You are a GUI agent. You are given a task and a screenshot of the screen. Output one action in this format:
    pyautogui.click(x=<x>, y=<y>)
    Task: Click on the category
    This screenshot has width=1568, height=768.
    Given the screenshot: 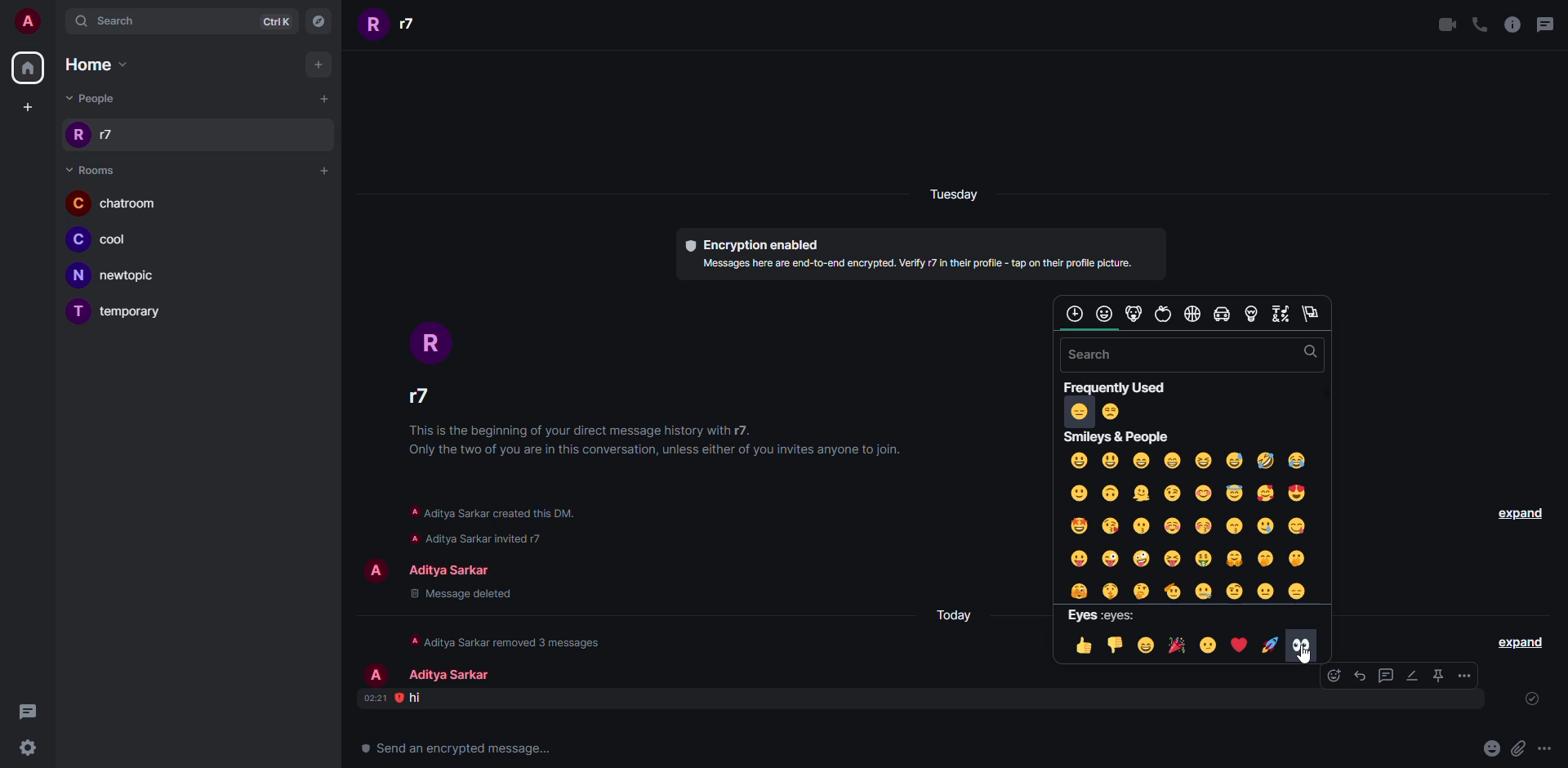 What is the action you would take?
    pyautogui.click(x=1222, y=314)
    